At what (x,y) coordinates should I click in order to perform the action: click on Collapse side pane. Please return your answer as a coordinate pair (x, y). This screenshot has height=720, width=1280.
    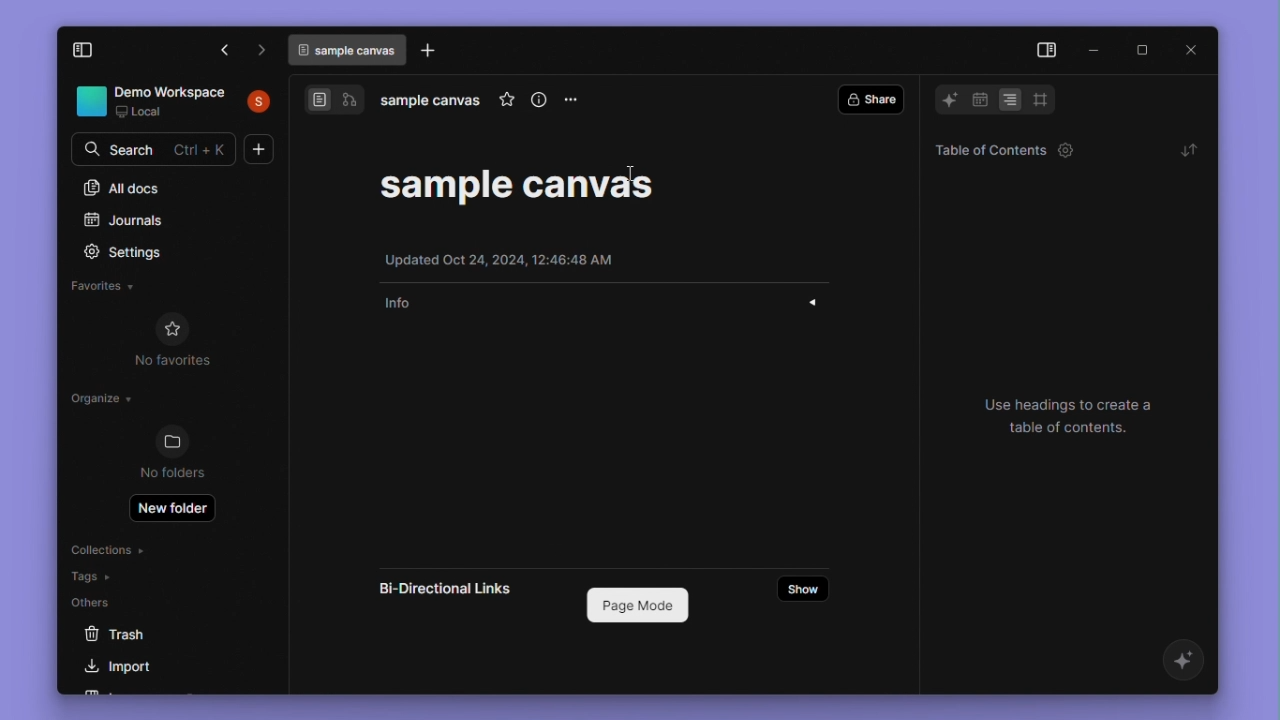
    Looking at the image, I should click on (1045, 51).